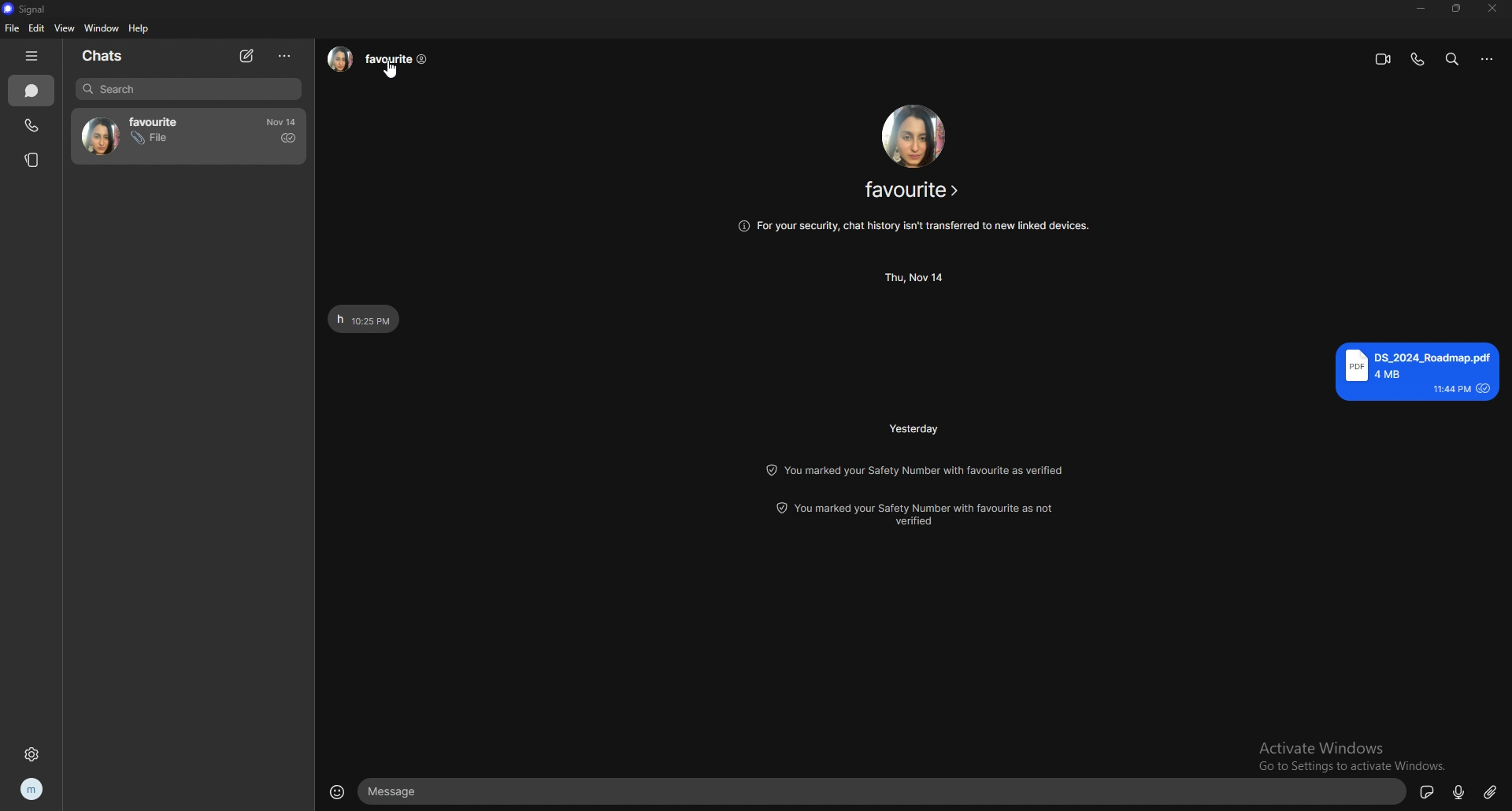 The width and height of the screenshot is (1512, 811). What do you see at coordinates (382, 59) in the screenshot?
I see `contact info` at bounding box center [382, 59].